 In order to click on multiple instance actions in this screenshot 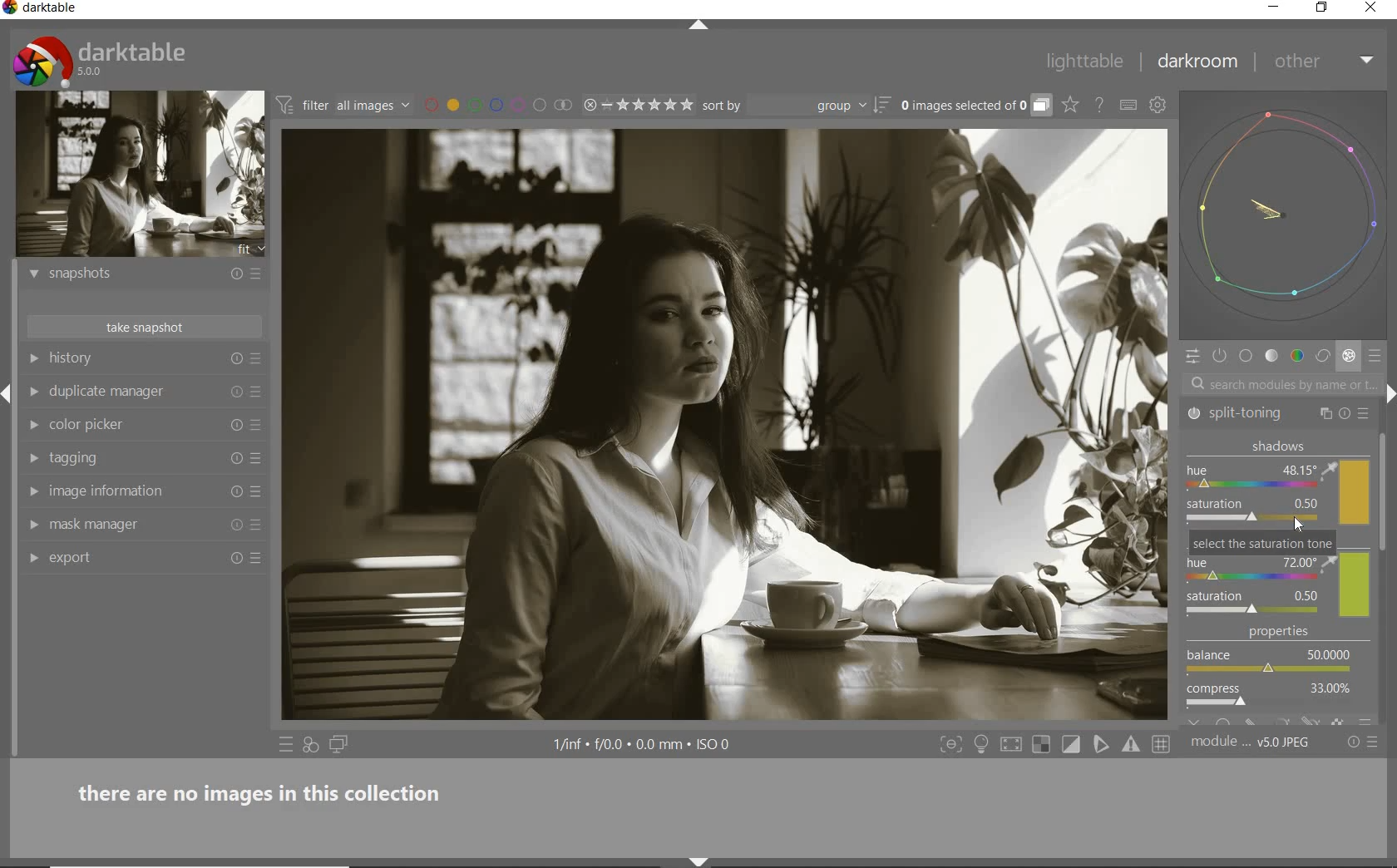, I will do `click(1325, 412)`.